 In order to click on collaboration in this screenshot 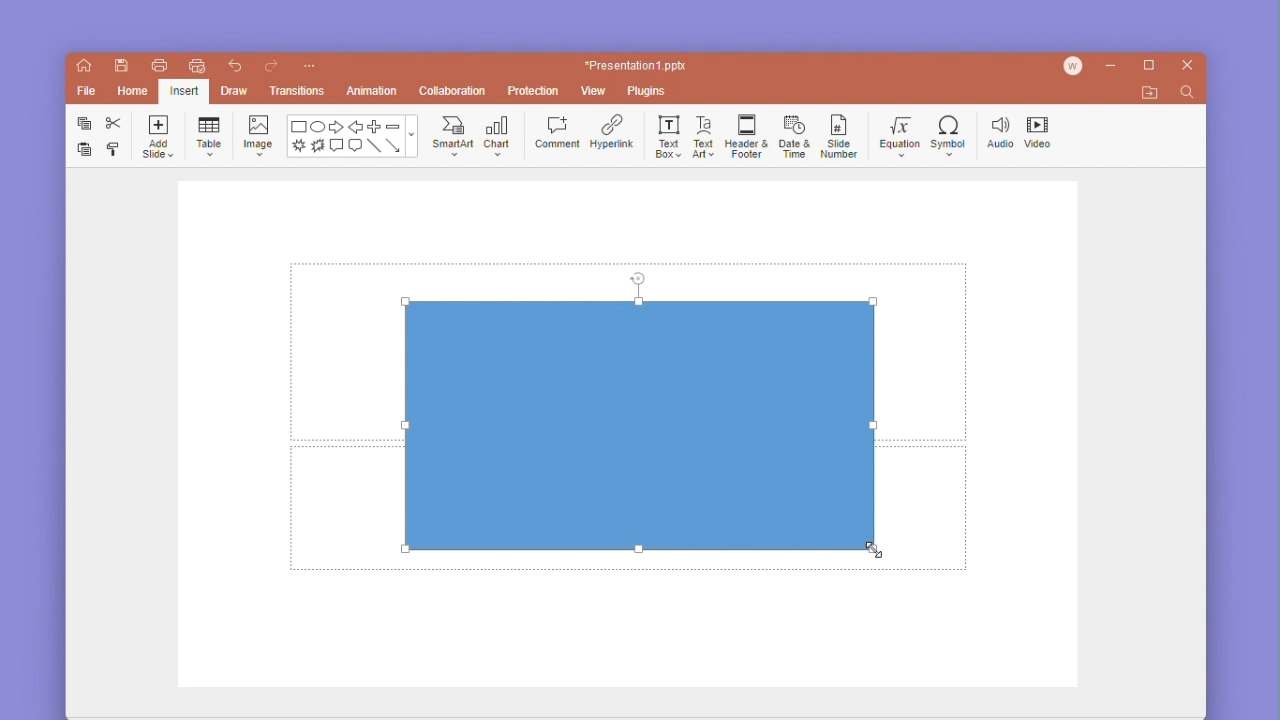, I will do `click(453, 90)`.